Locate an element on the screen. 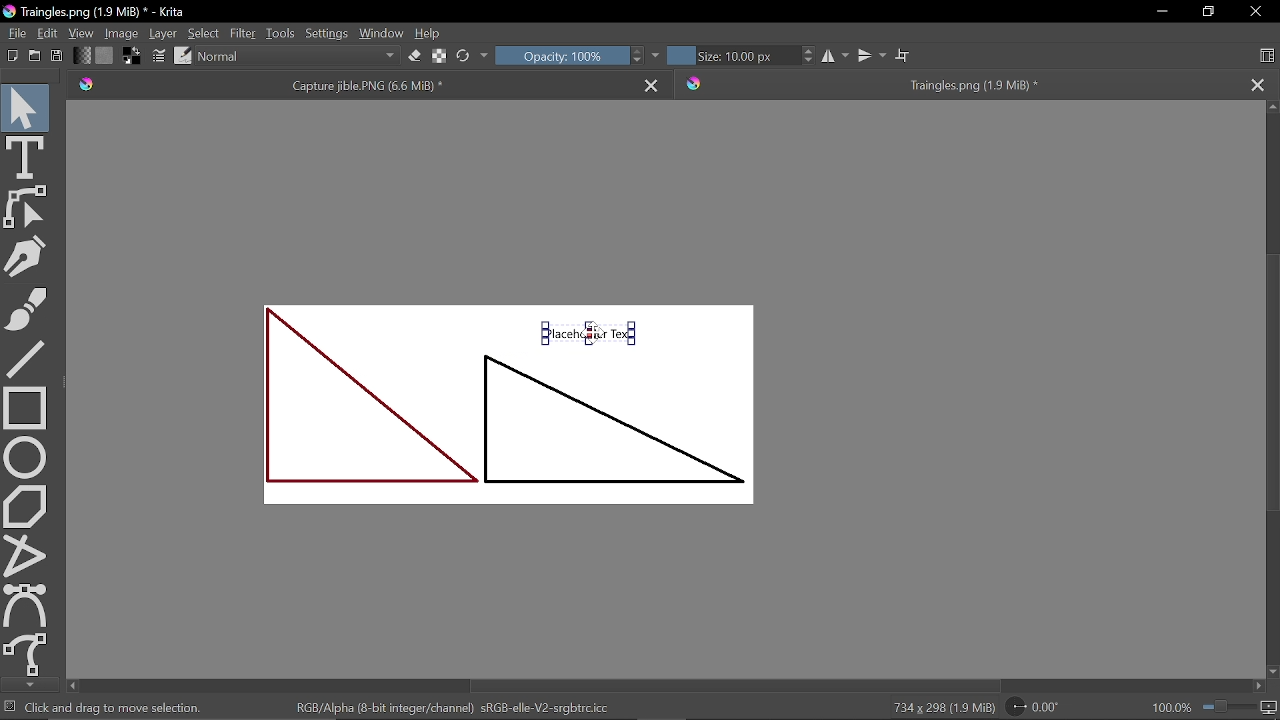  Edit shapes tool is located at coordinates (28, 209).